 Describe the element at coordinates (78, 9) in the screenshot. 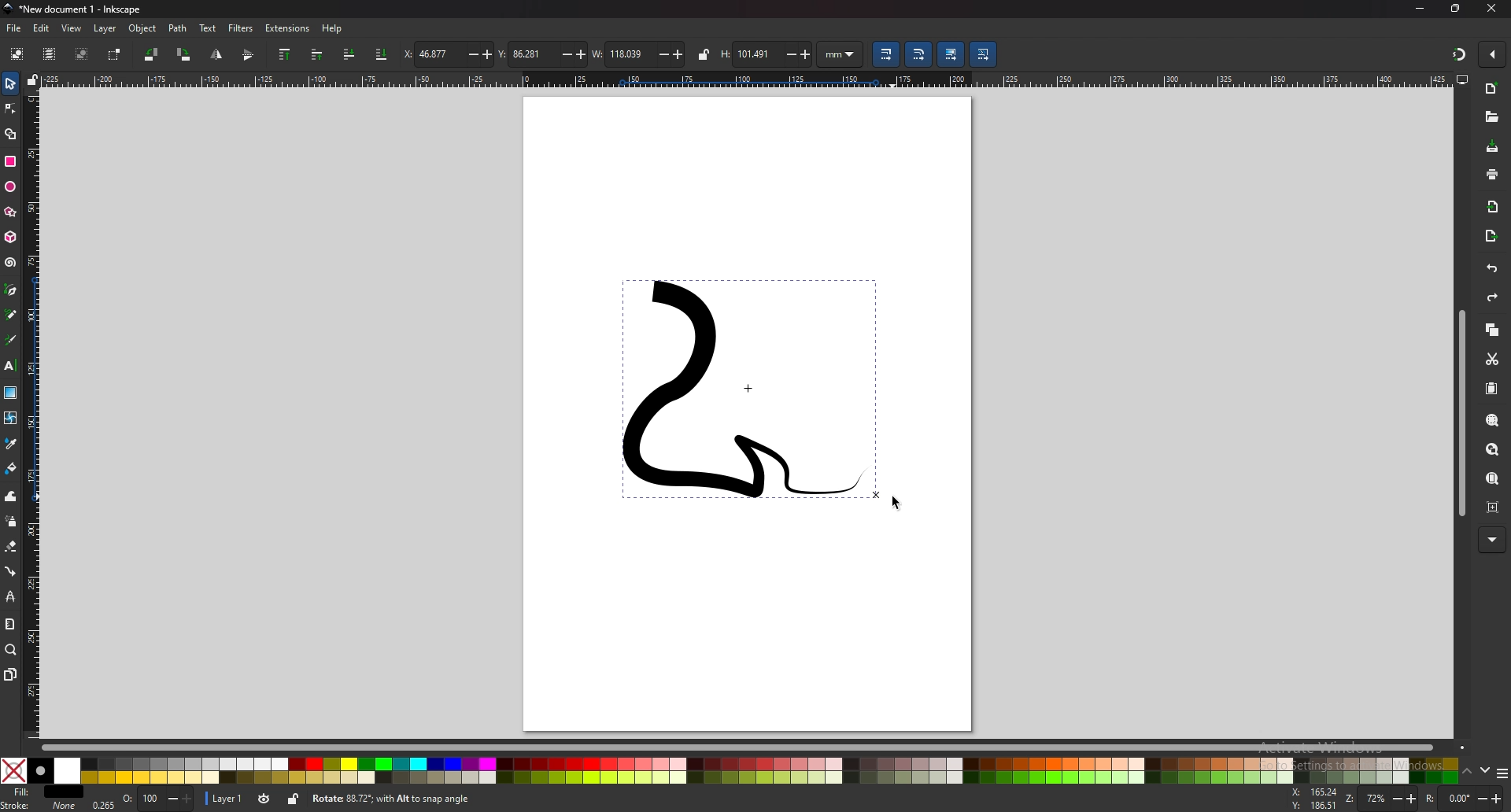

I see `title` at that location.